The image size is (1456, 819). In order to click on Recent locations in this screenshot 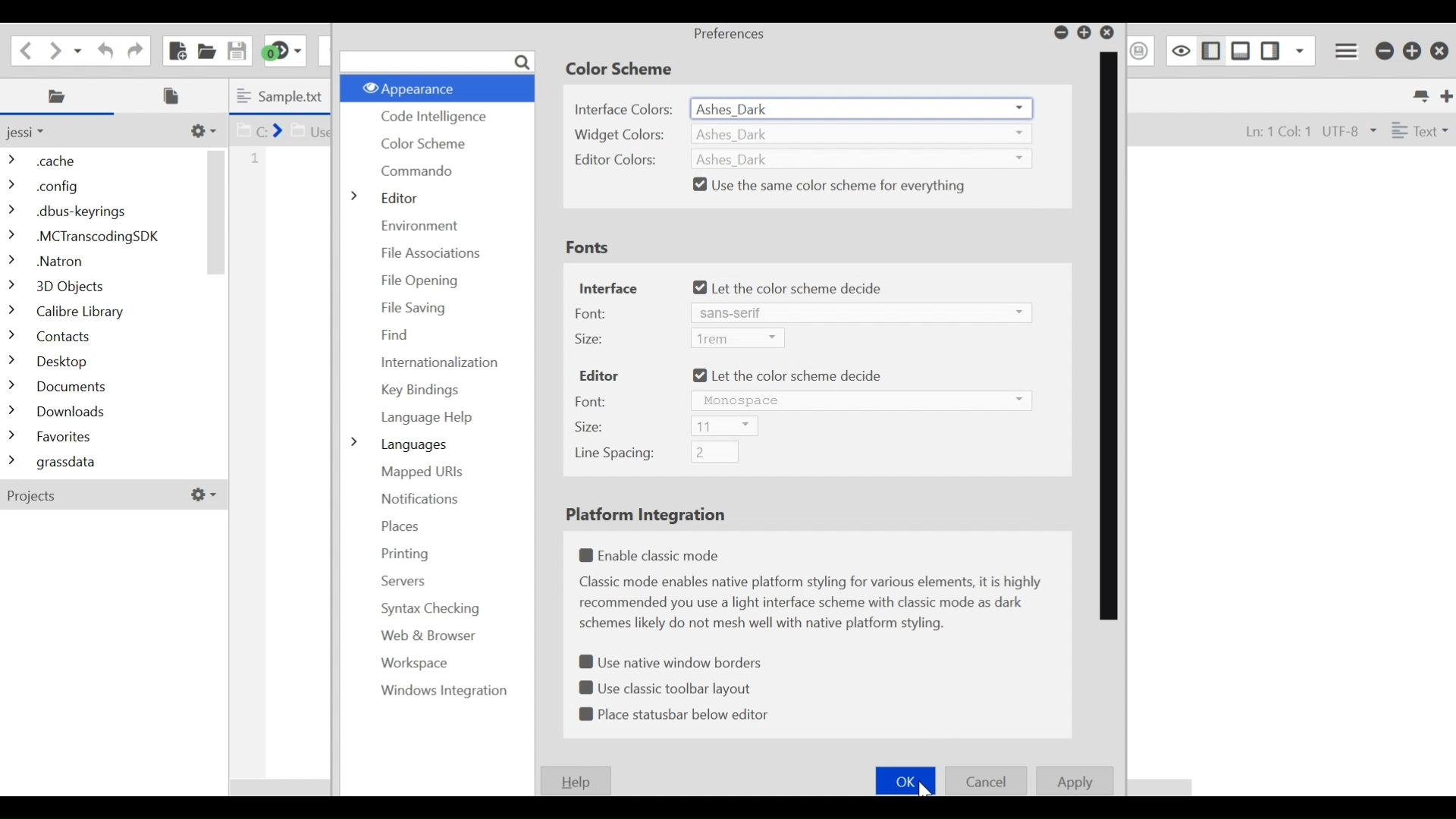, I will do `click(80, 49)`.